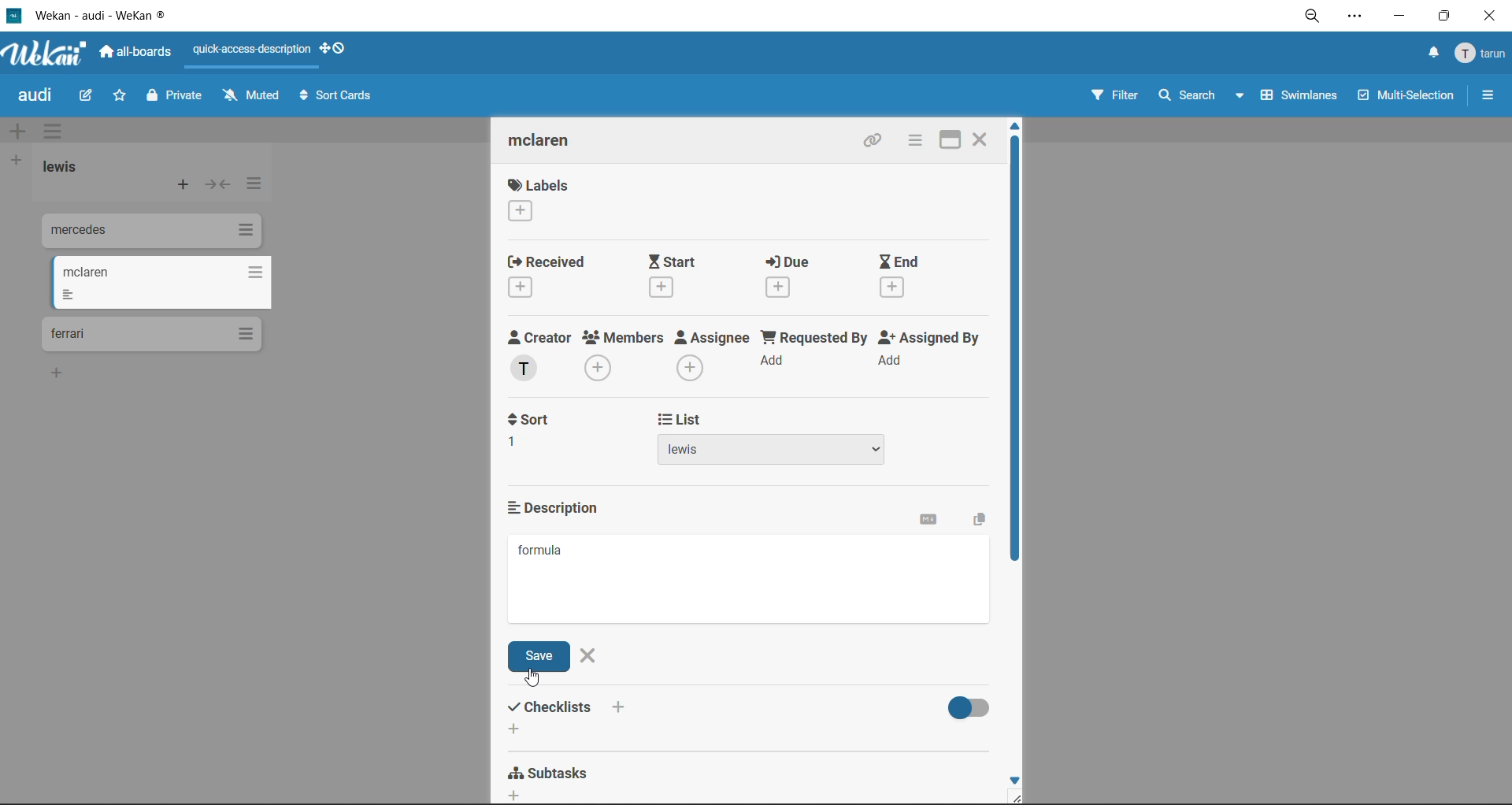 The height and width of the screenshot is (805, 1512). Describe the element at coordinates (336, 48) in the screenshot. I see `show desktop drag handles` at that location.